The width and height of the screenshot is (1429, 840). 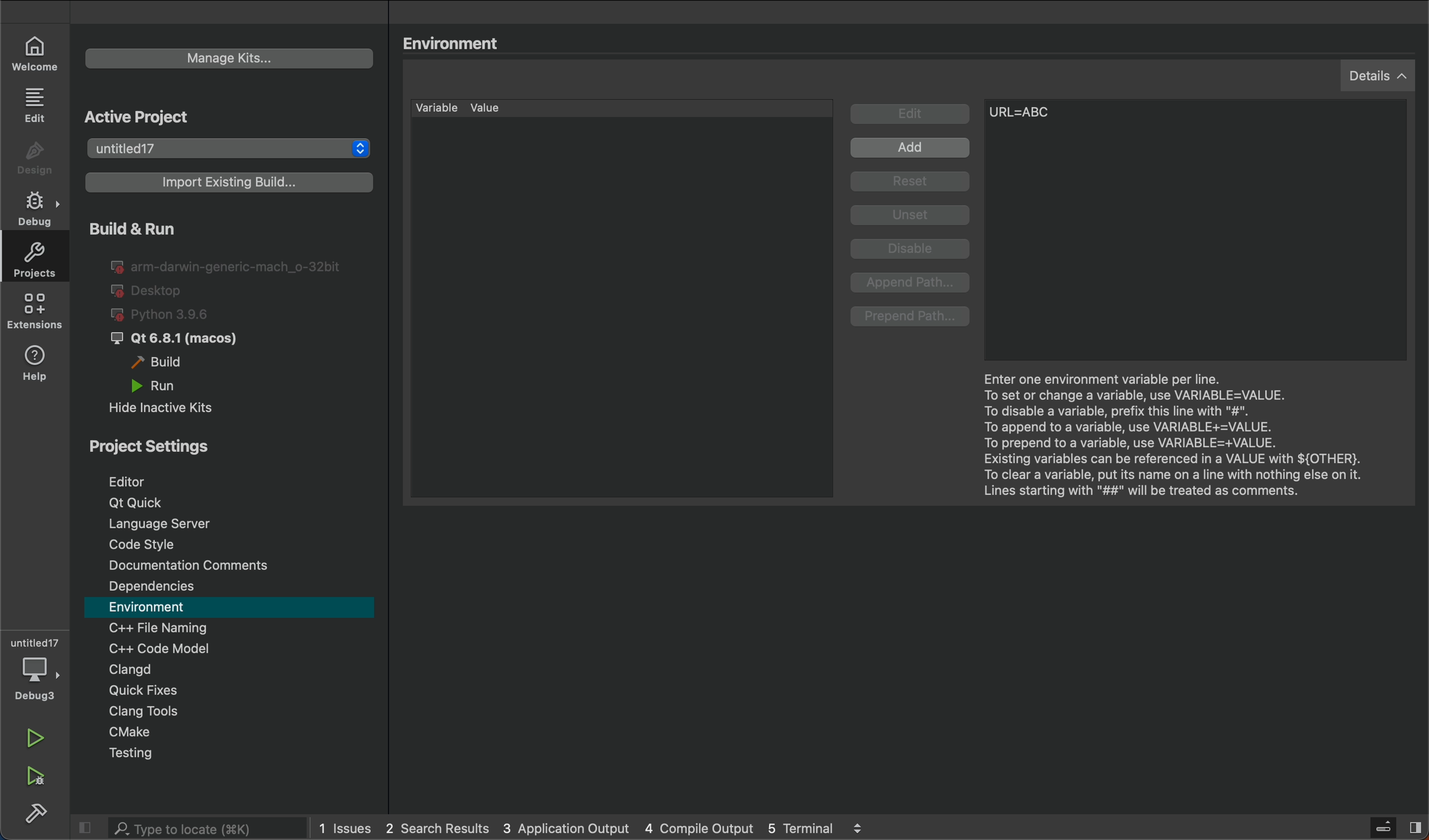 What do you see at coordinates (231, 149) in the screenshot?
I see `projects` at bounding box center [231, 149].